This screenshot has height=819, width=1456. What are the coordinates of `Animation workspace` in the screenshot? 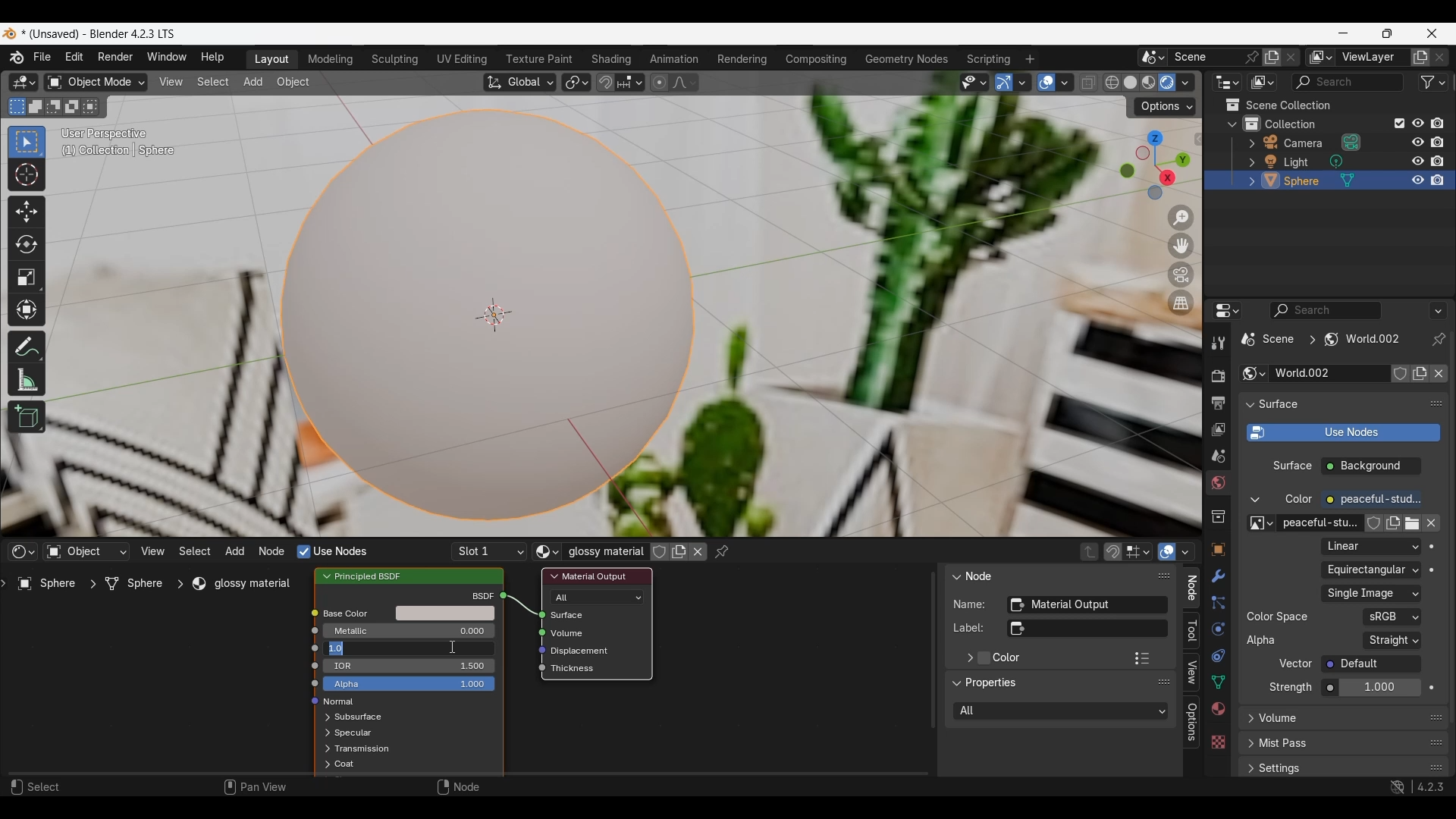 It's located at (676, 58).